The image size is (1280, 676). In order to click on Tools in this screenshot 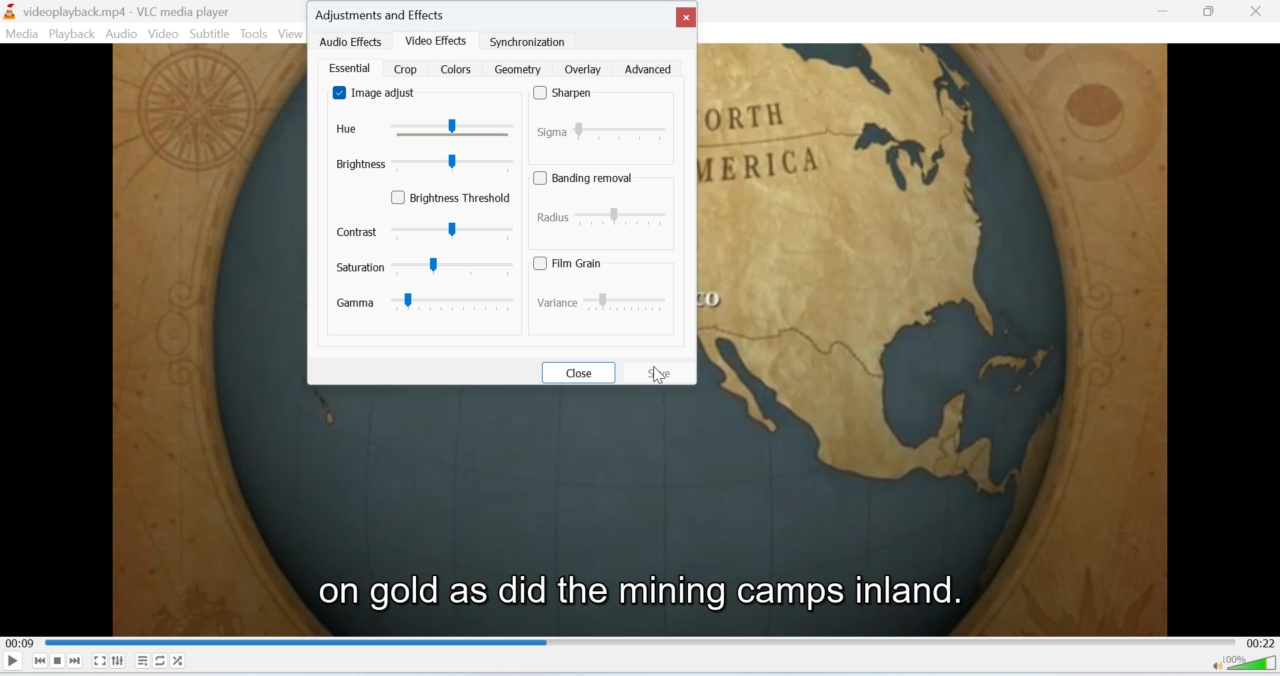, I will do `click(255, 34)`.